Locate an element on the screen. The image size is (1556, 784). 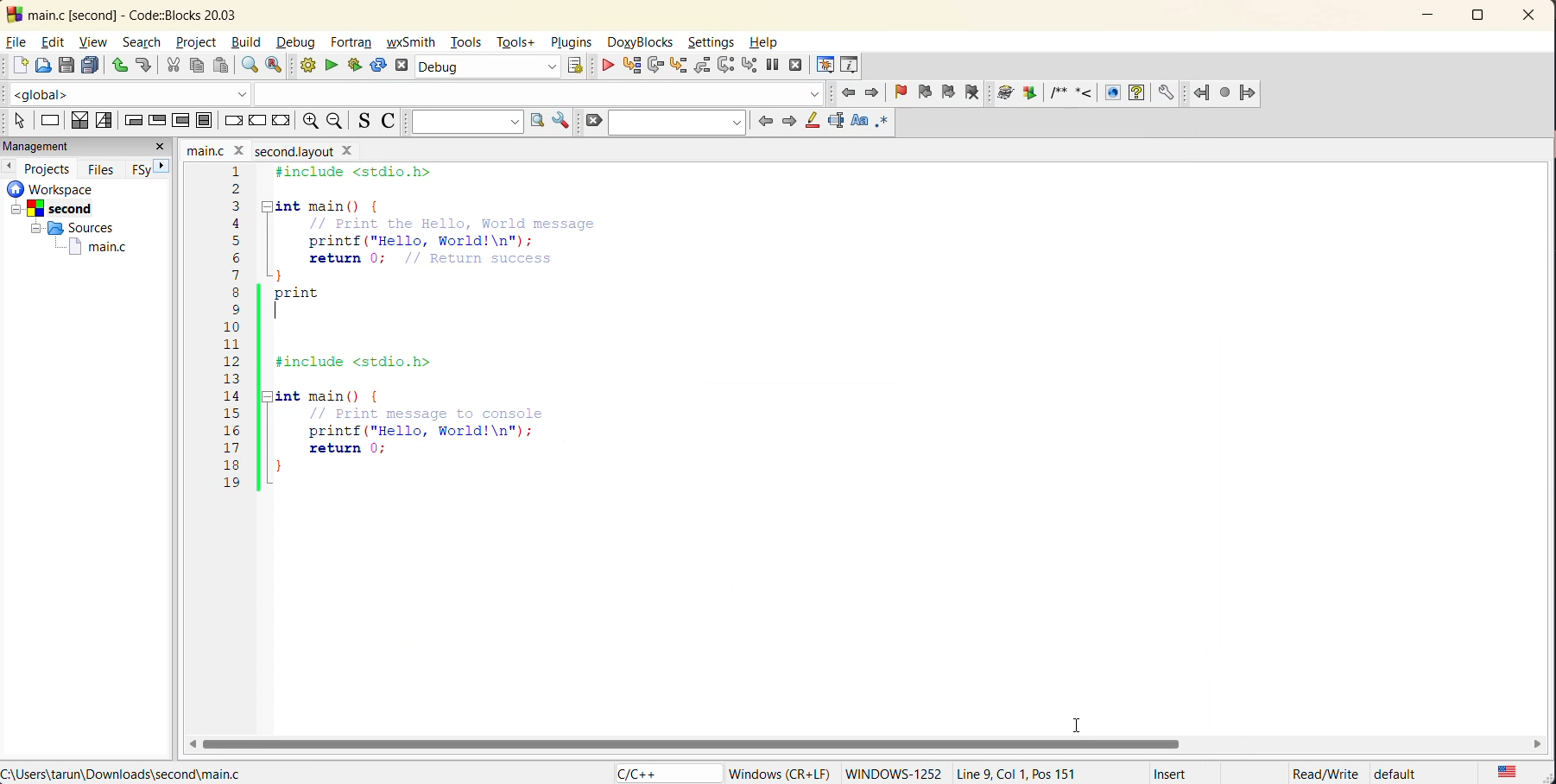
build and run is located at coordinates (355, 66).